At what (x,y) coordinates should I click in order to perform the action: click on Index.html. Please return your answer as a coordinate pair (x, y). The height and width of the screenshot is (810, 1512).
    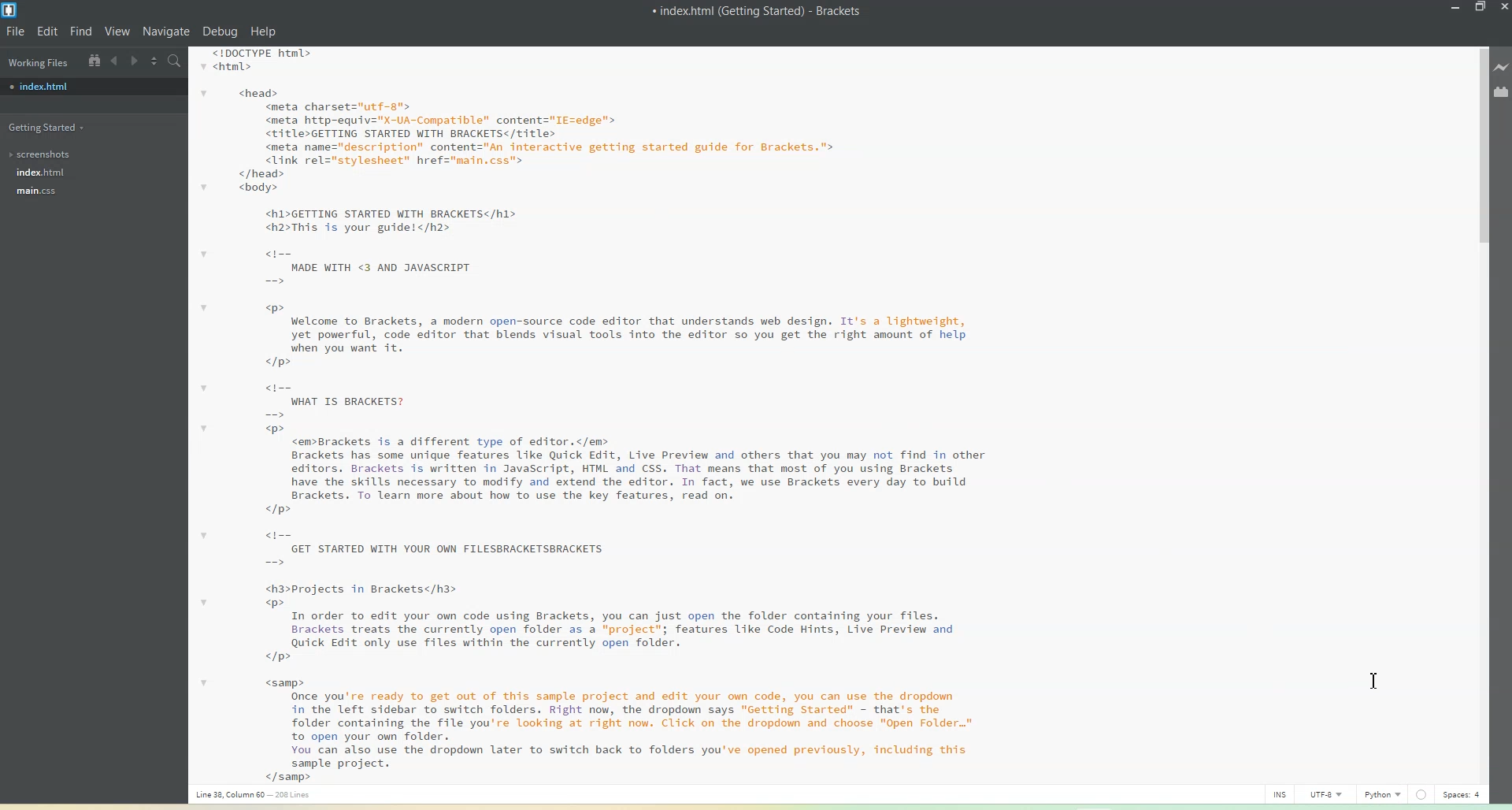
    Looking at the image, I should click on (40, 173).